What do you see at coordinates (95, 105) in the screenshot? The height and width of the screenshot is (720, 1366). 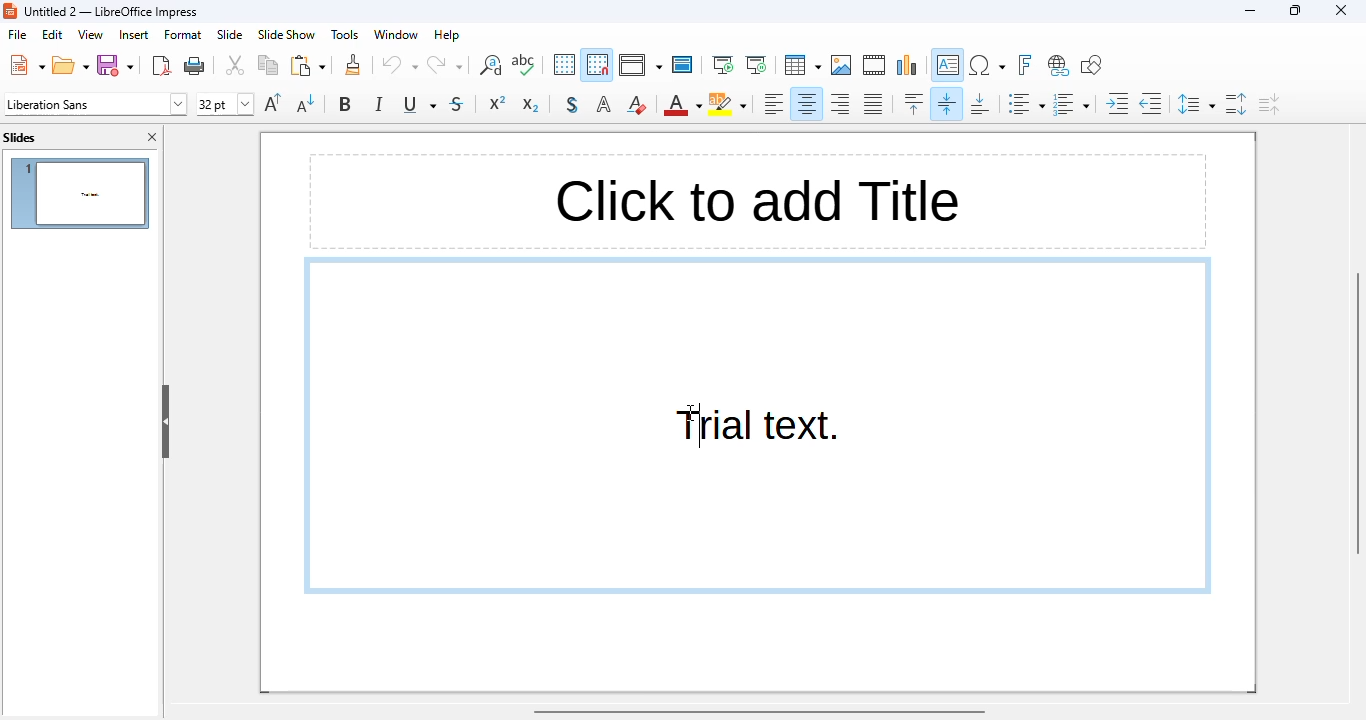 I see `font name` at bounding box center [95, 105].